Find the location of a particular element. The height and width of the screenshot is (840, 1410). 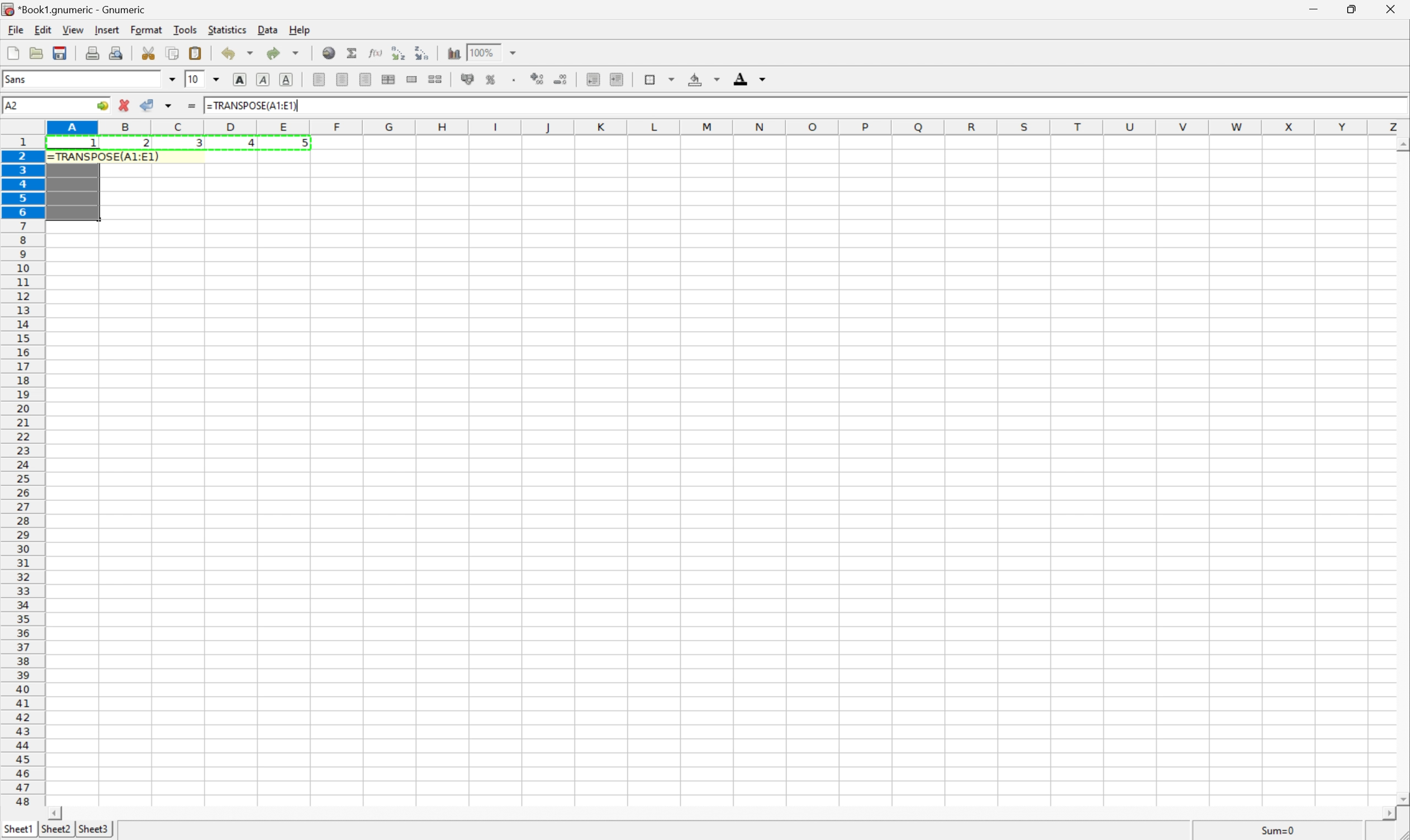

sum=0 is located at coordinates (1269, 830).